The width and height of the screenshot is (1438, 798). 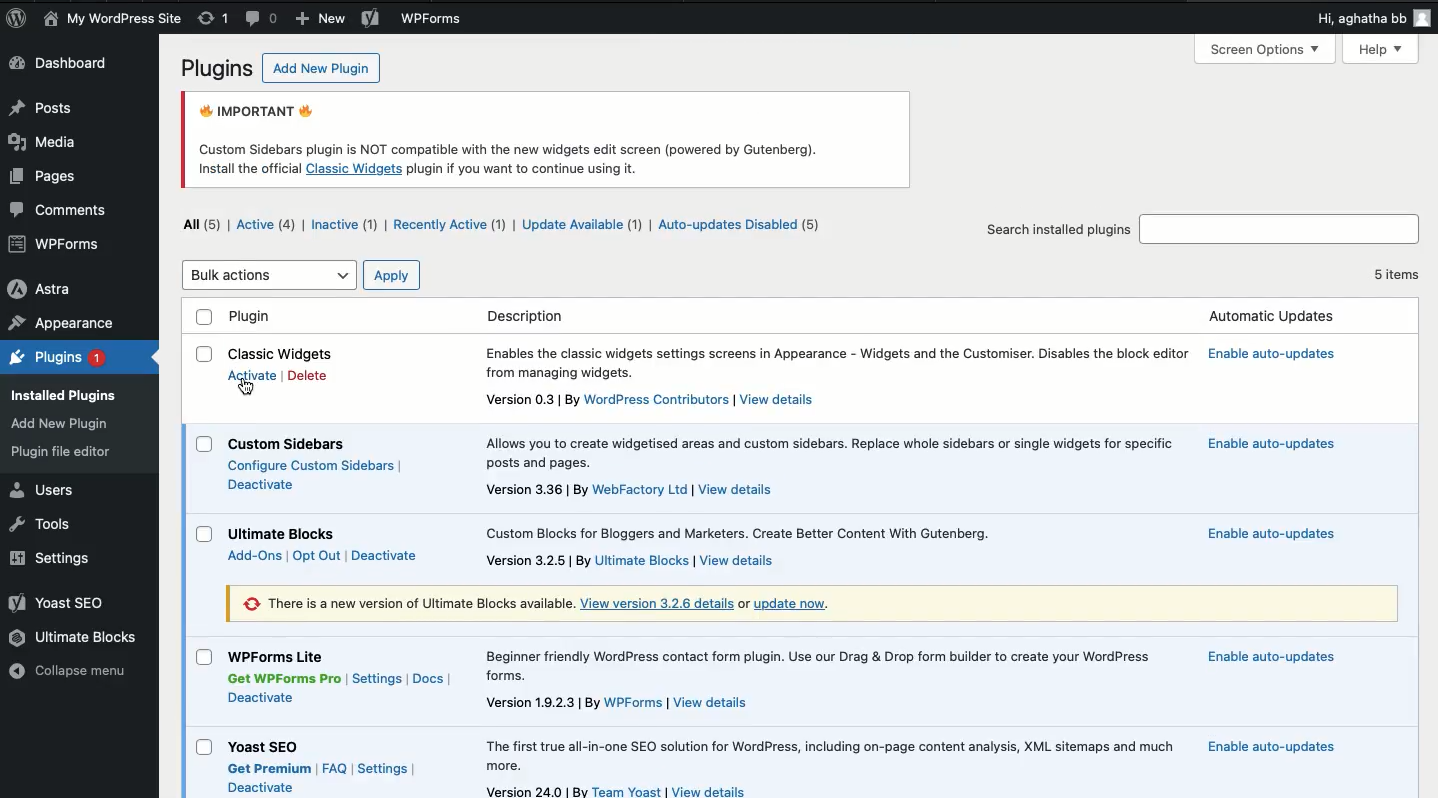 What do you see at coordinates (825, 451) in the screenshot?
I see `description` at bounding box center [825, 451].